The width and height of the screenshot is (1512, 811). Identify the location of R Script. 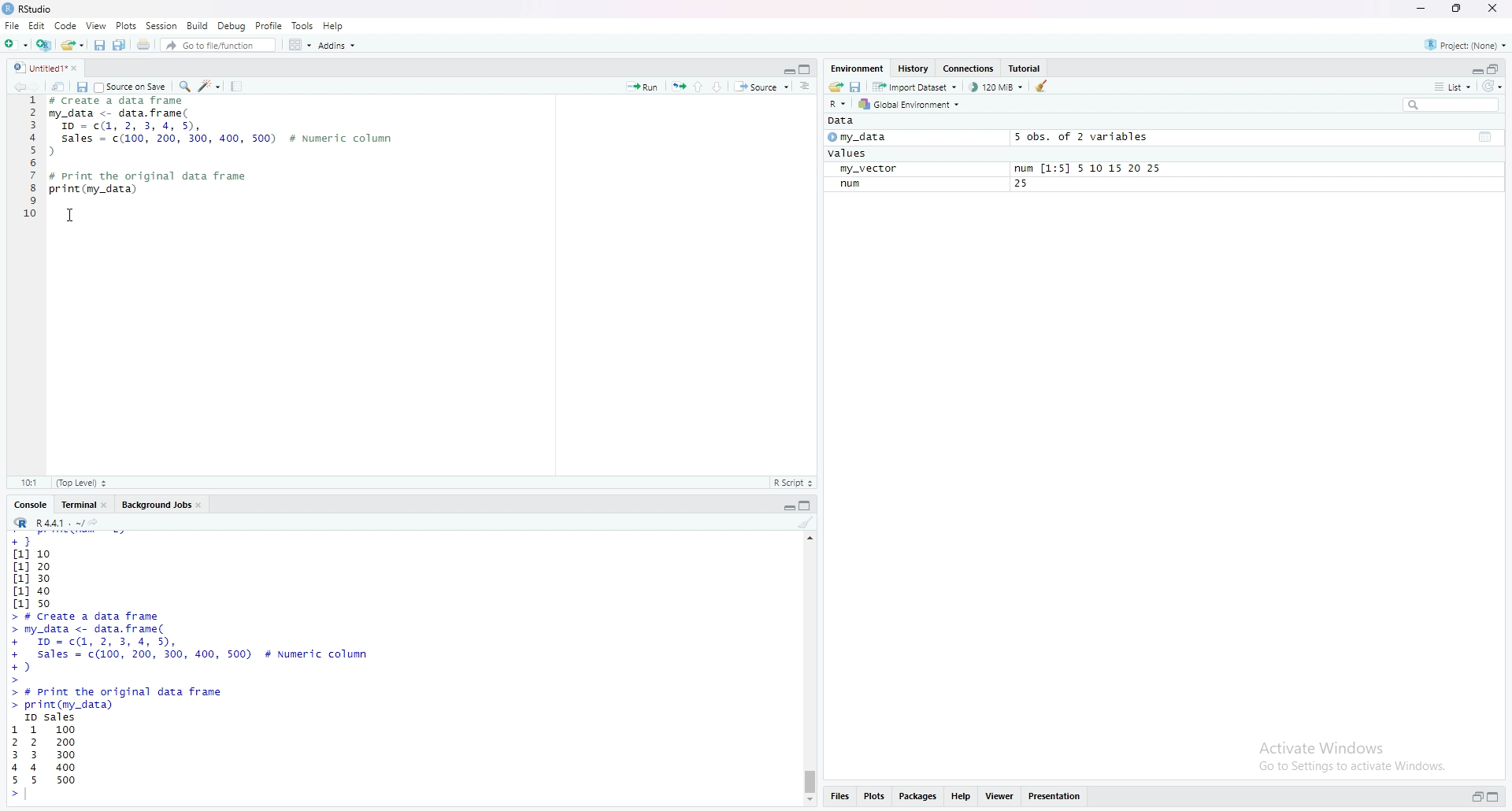
(798, 483).